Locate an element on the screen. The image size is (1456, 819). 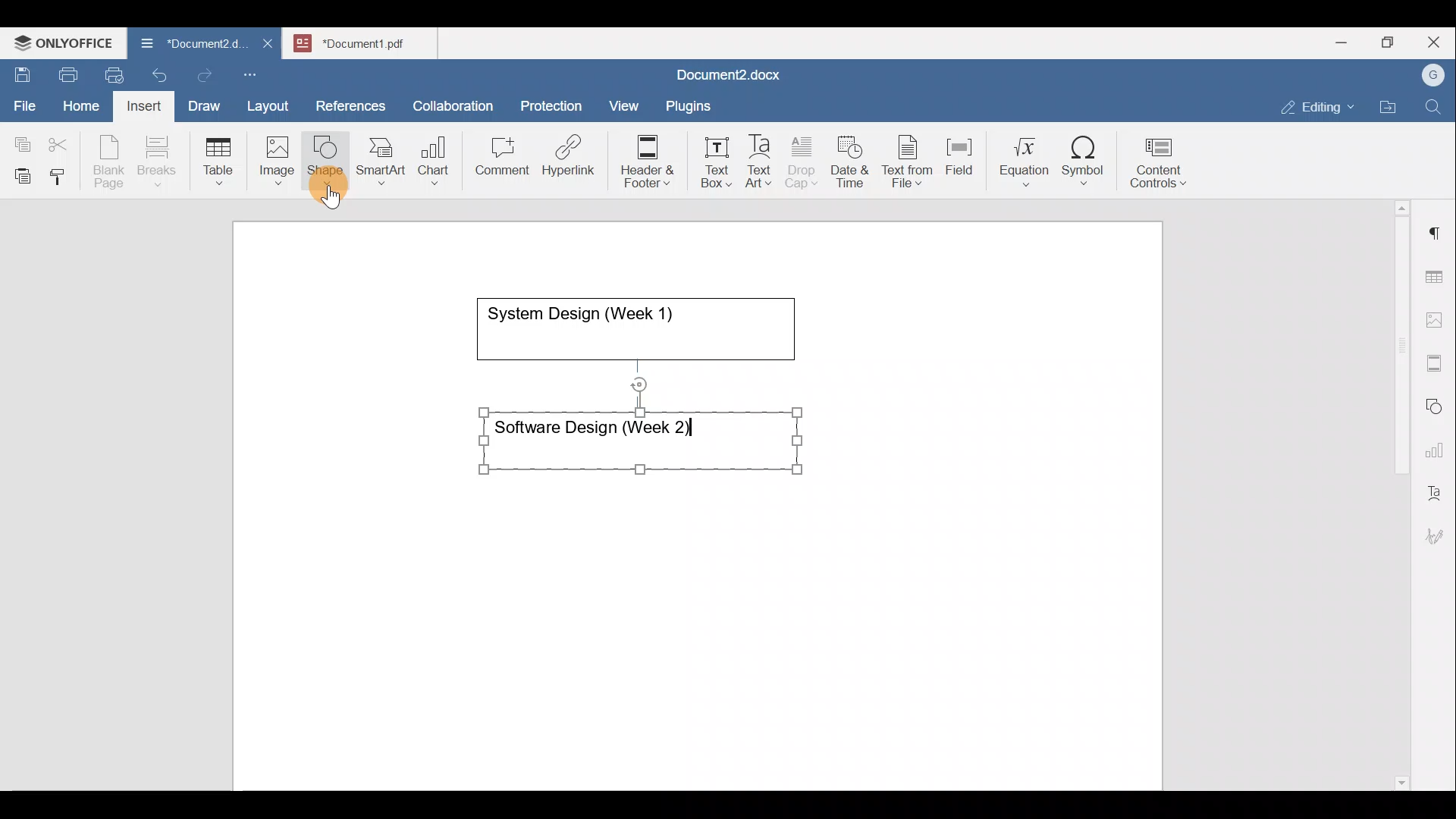
Copy style is located at coordinates (63, 173).